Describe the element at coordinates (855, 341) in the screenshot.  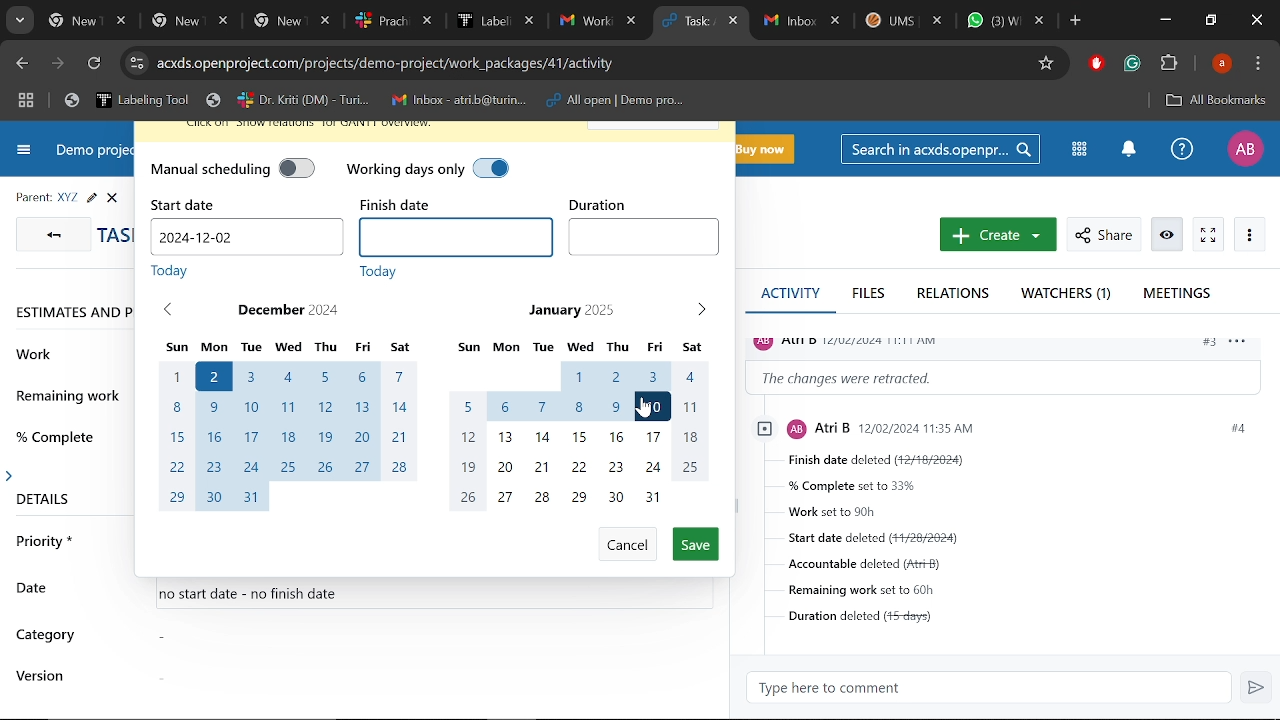
I see `profile` at that location.